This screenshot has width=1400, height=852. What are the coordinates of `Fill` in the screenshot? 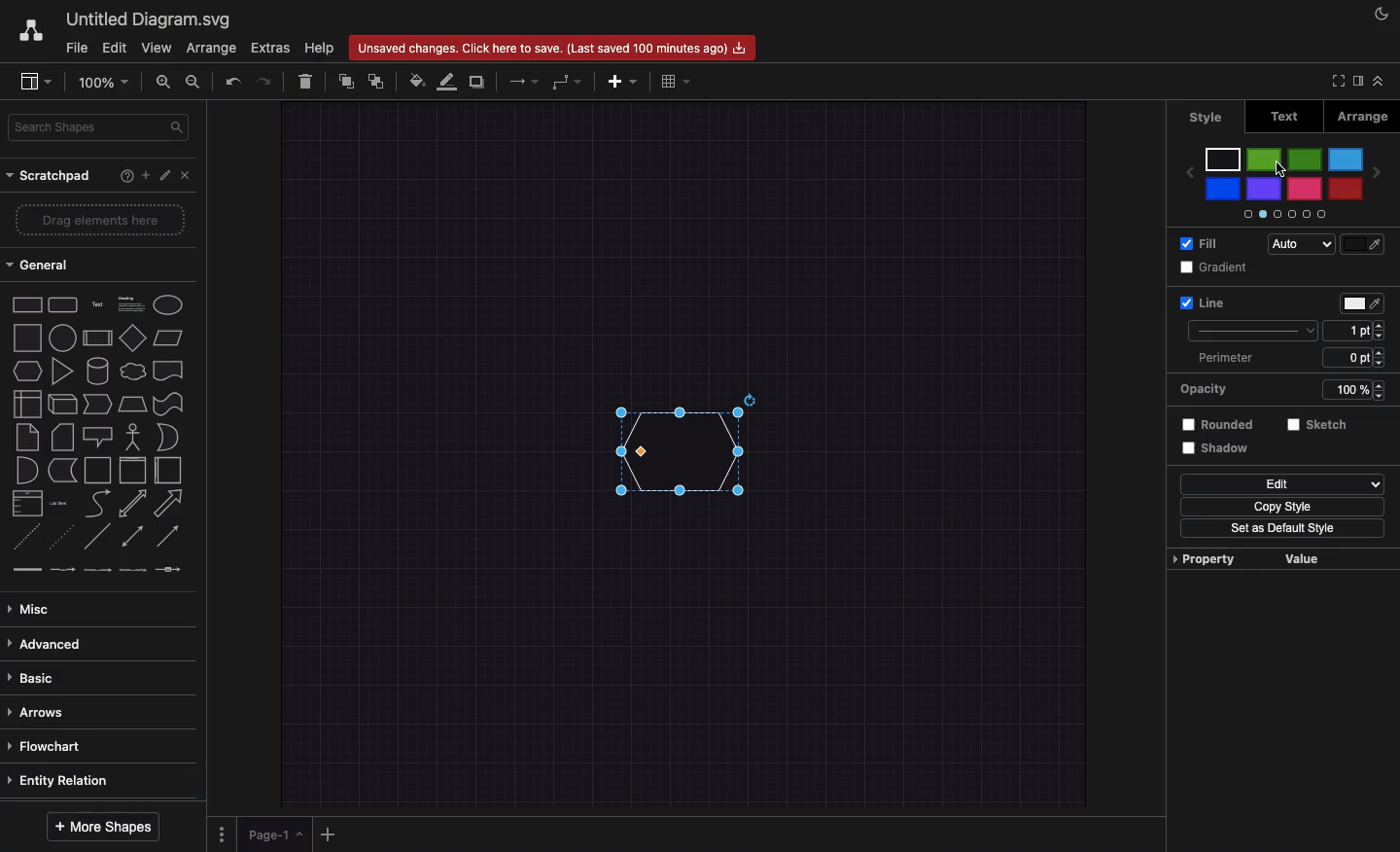 It's located at (1362, 302).